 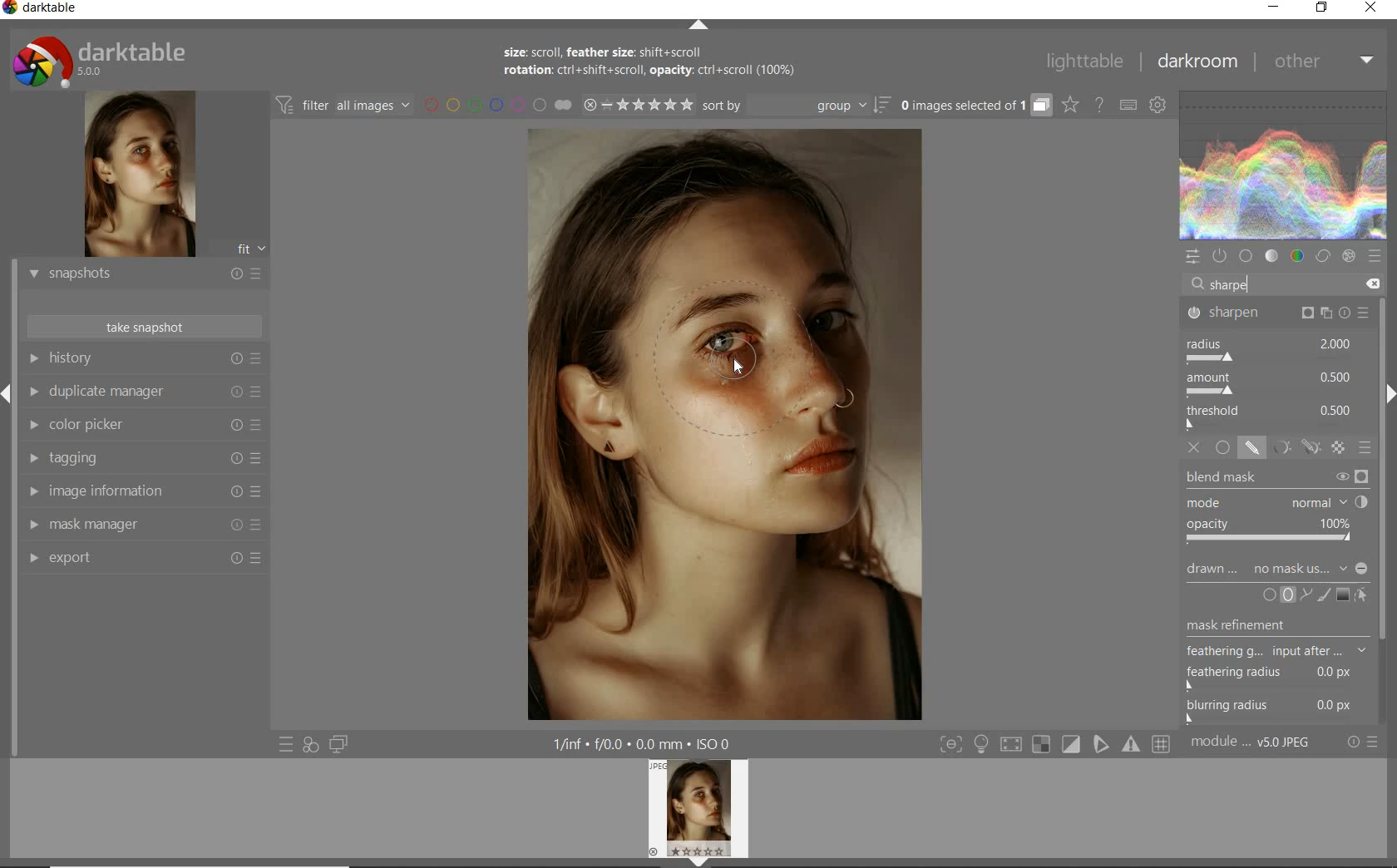 I want to click on ADD GRADIENT, so click(x=1343, y=595).